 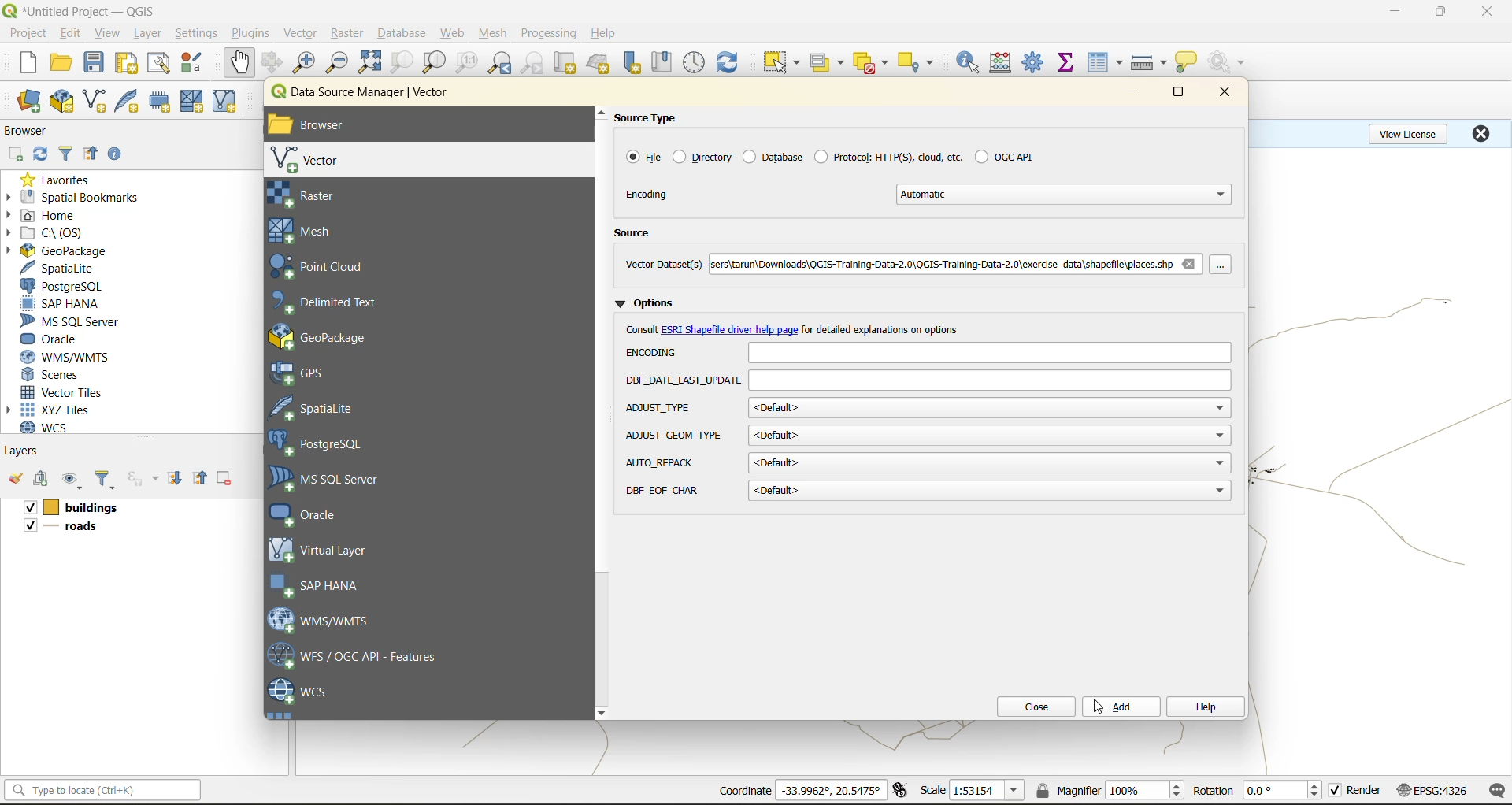 I want to click on show layout, so click(x=159, y=63).